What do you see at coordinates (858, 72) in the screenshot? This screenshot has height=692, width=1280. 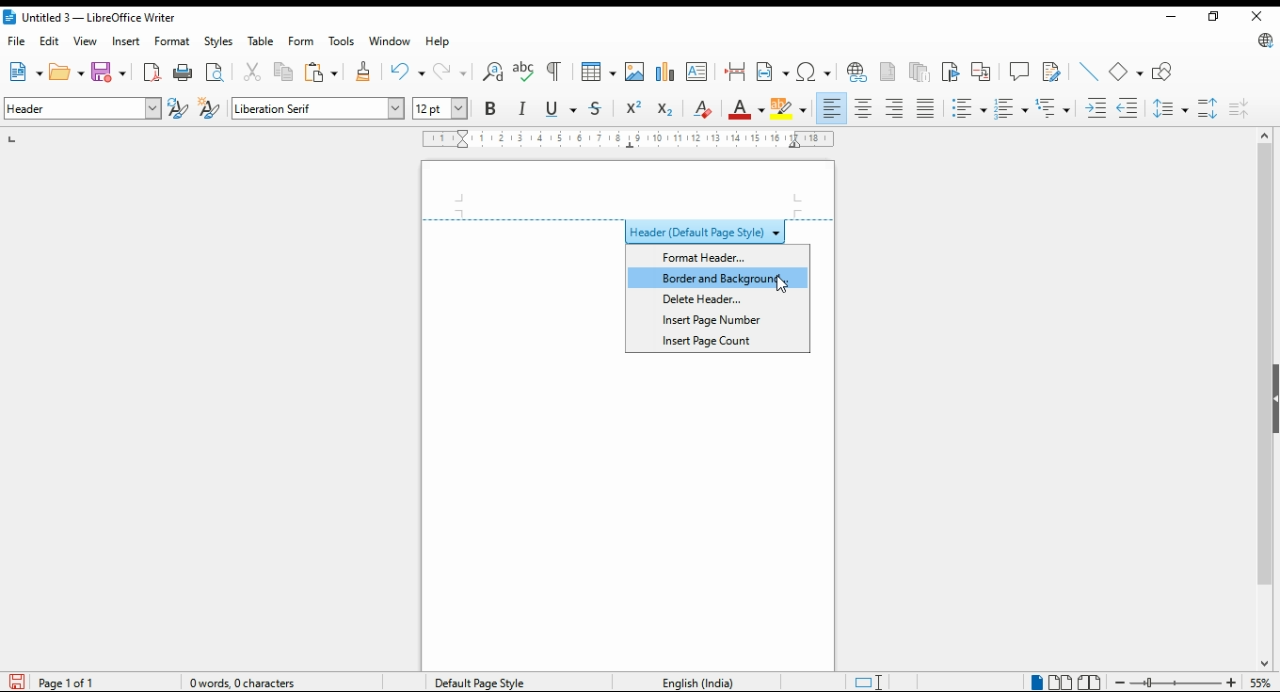 I see `insert hyperlink` at bounding box center [858, 72].